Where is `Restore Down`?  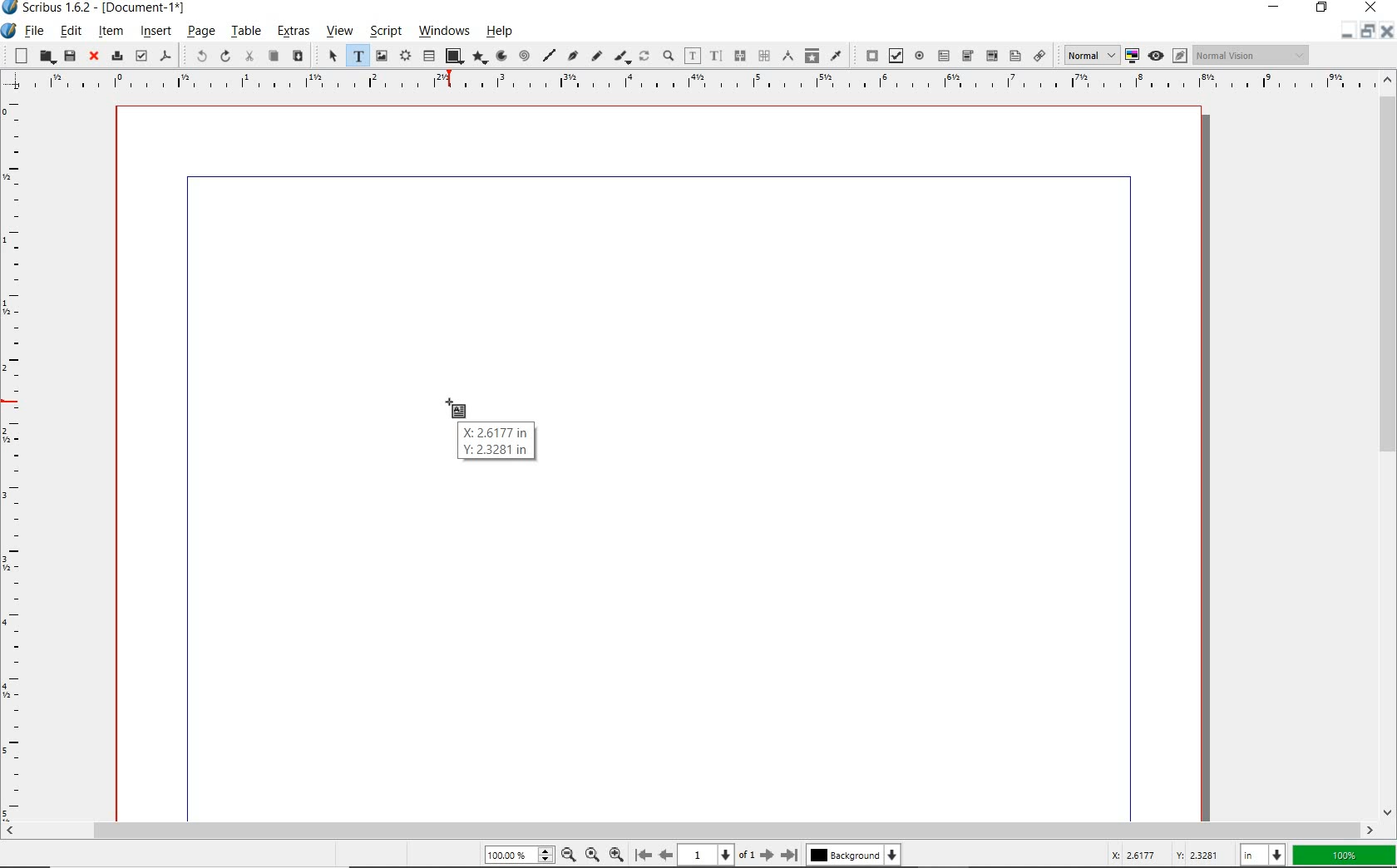
Restore Down is located at coordinates (1346, 31).